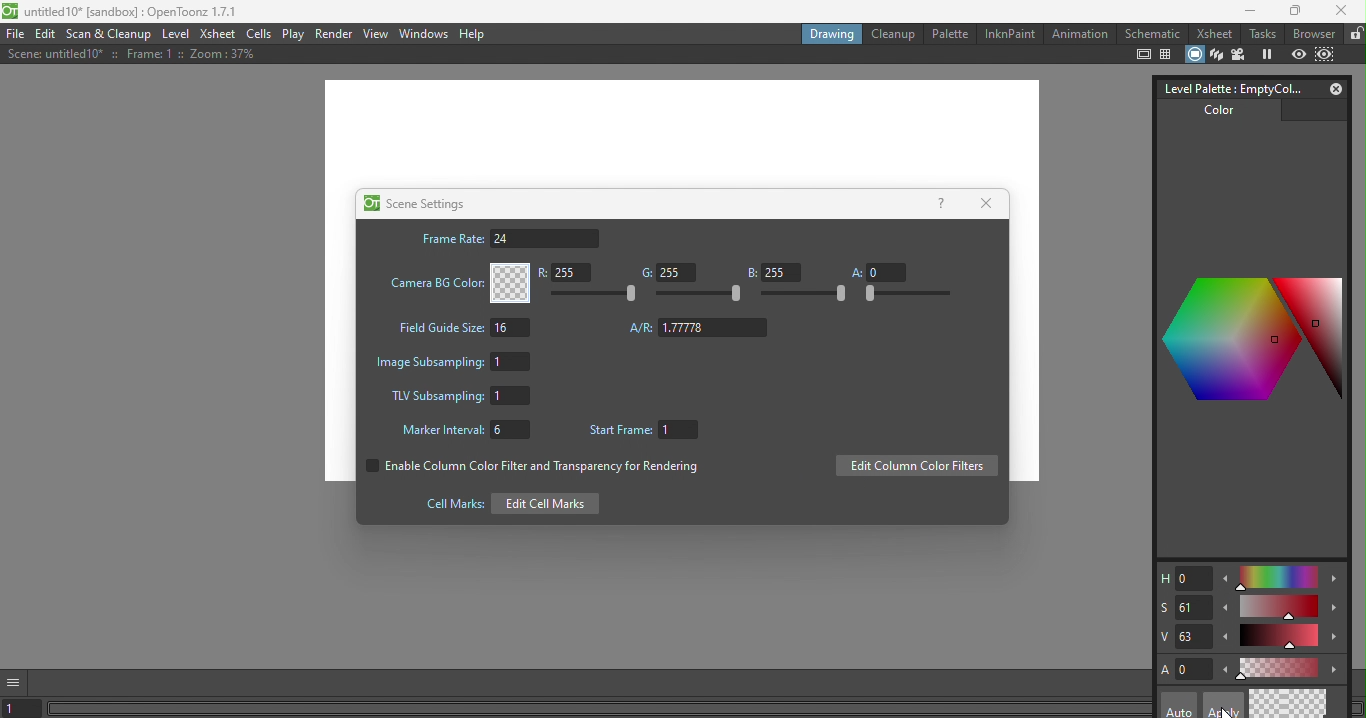 Image resolution: width=1366 pixels, height=718 pixels. Describe the element at coordinates (529, 469) in the screenshot. I see `Enable column color filter and transparency for rendering` at that location.